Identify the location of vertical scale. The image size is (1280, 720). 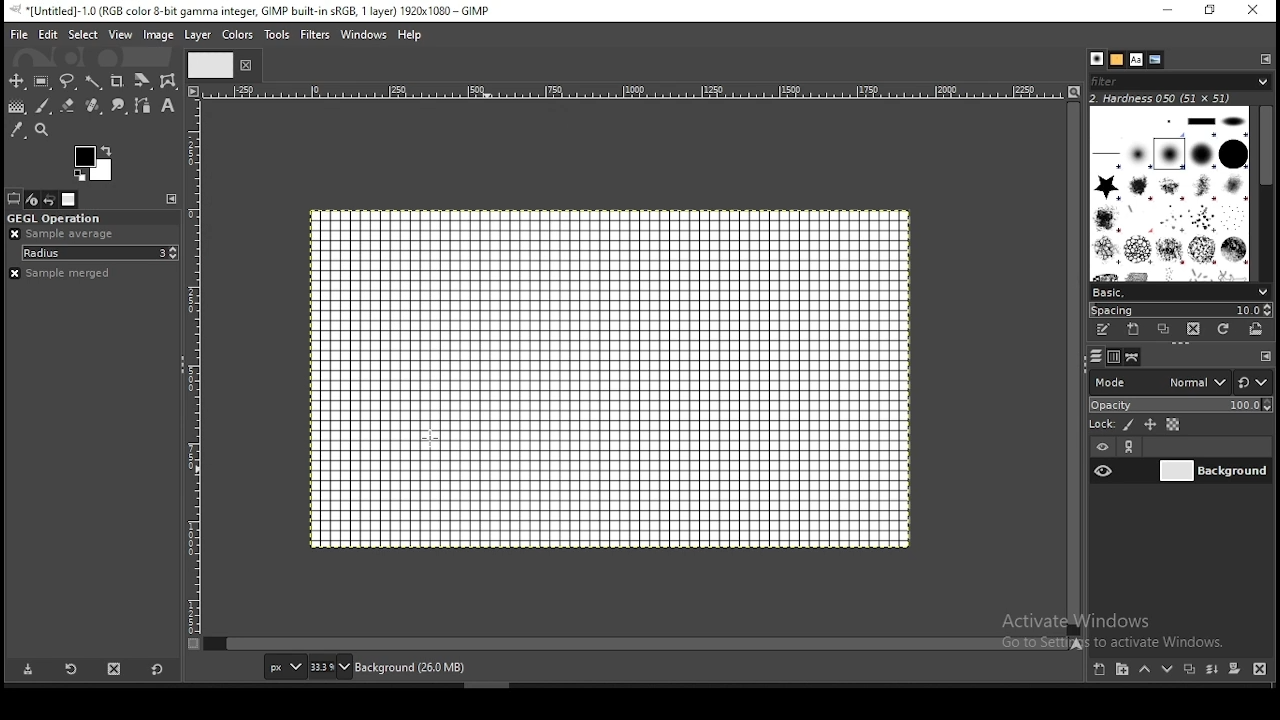
(197, 375).